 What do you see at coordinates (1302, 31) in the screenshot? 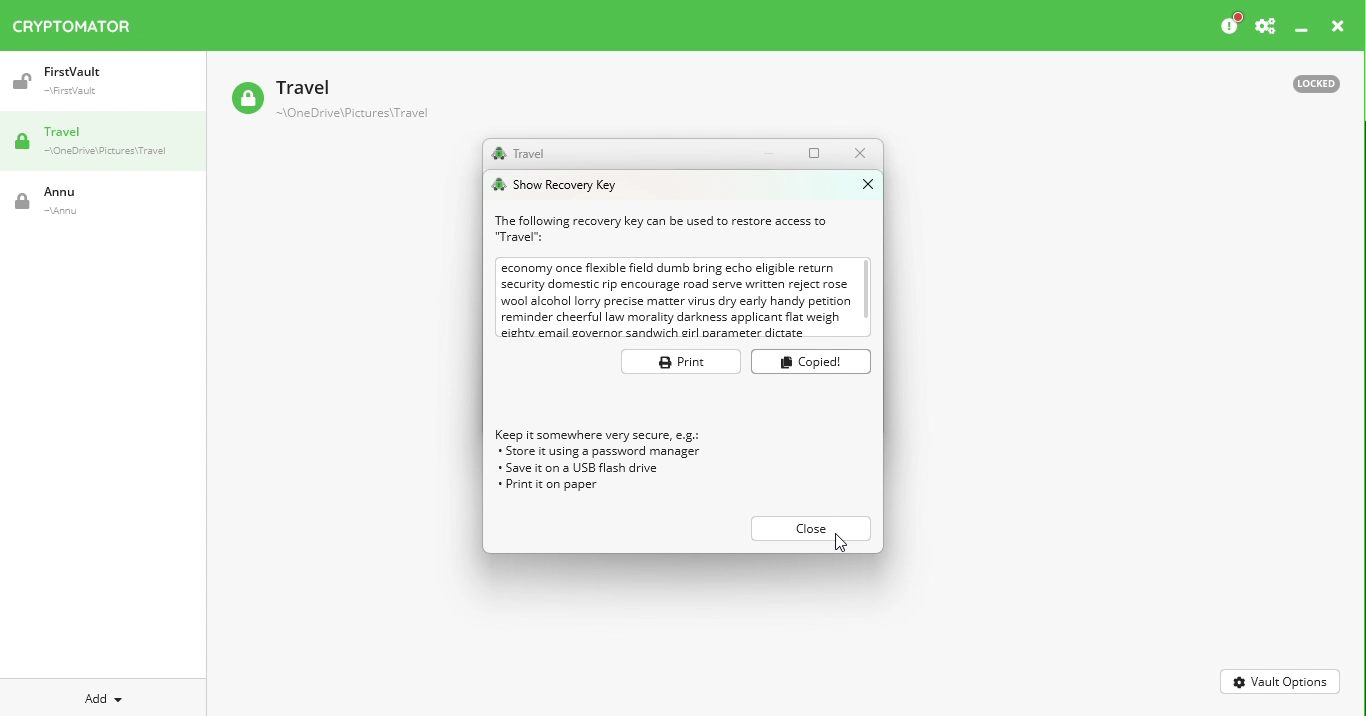
I see `Minimize` at bounding box center [1302, 31].